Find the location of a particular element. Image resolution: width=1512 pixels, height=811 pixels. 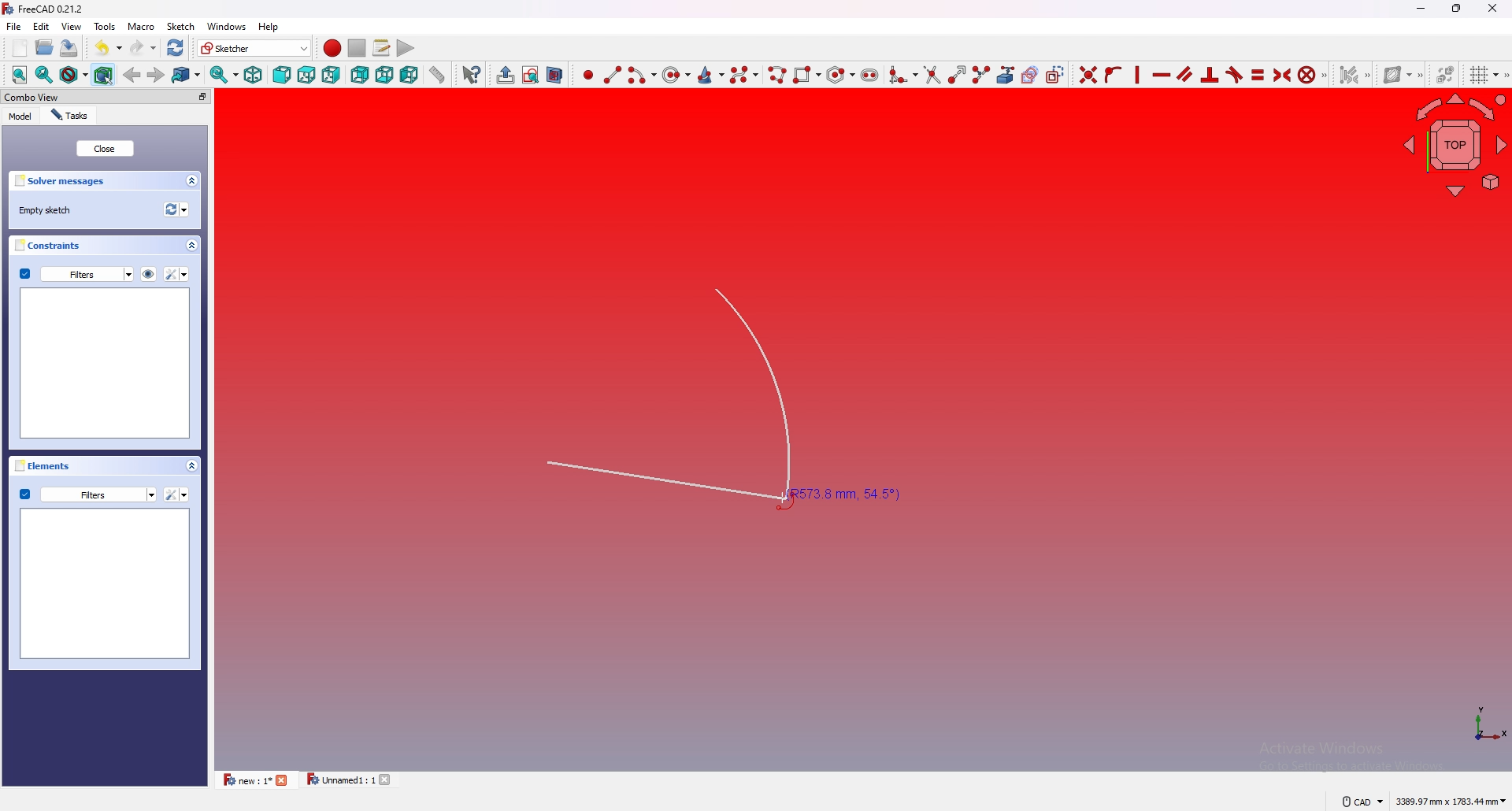

hide all listed constraints is located at coordinates (149, 273).